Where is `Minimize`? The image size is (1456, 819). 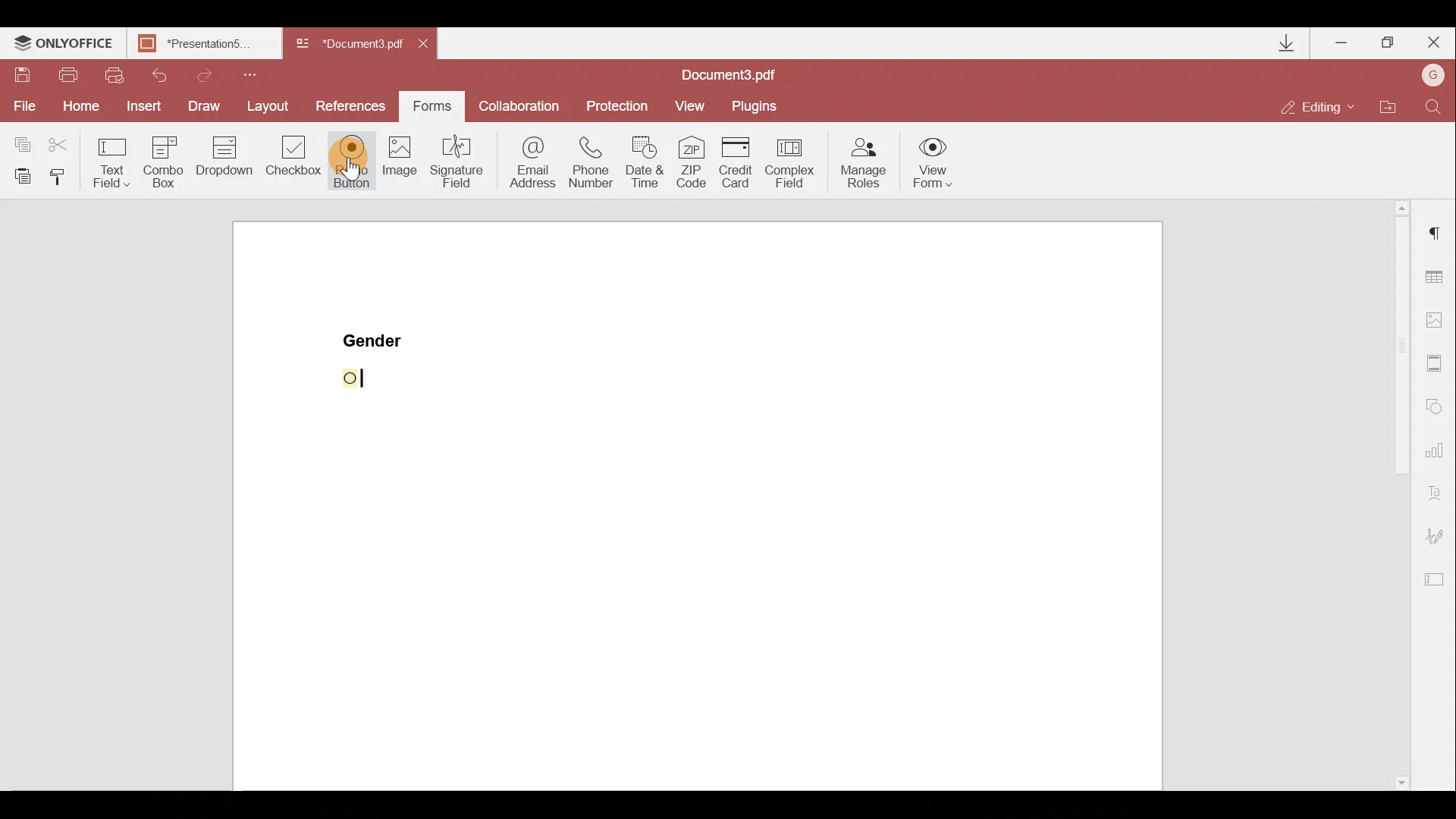 Minimize is located at coordinates (1341, 42).